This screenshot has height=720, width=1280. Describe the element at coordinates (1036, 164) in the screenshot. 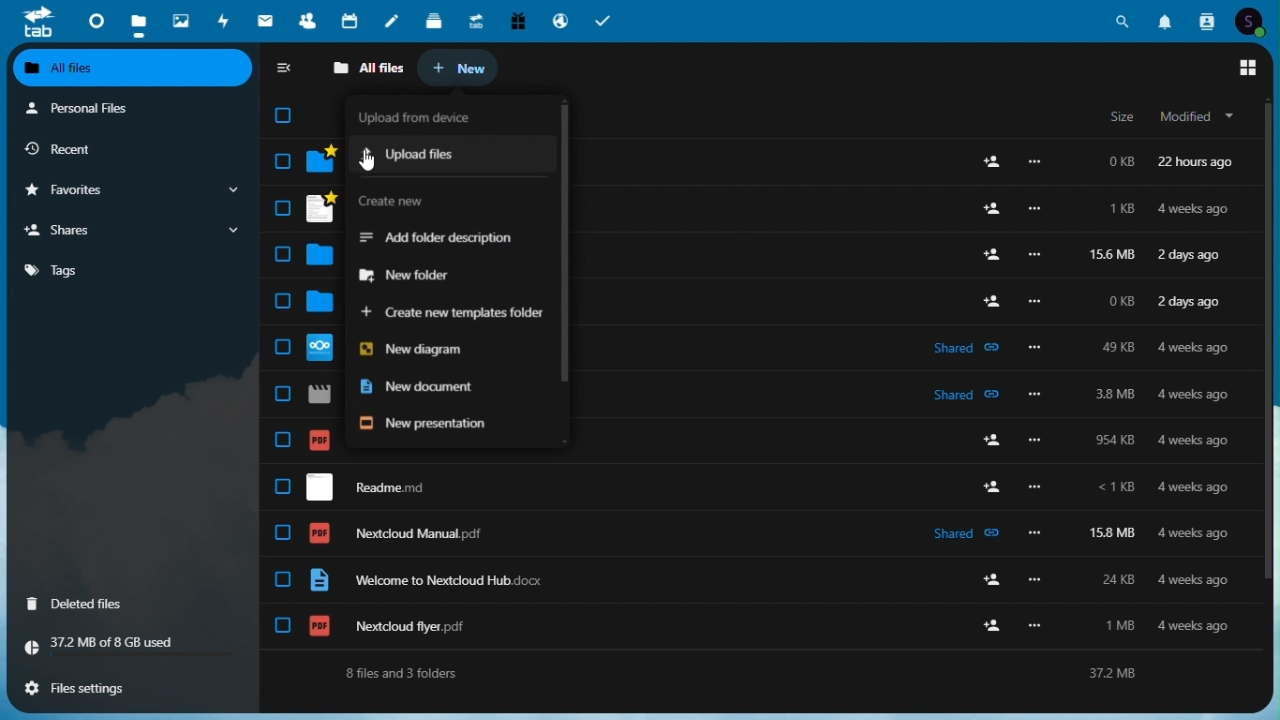

I see `` at that location.